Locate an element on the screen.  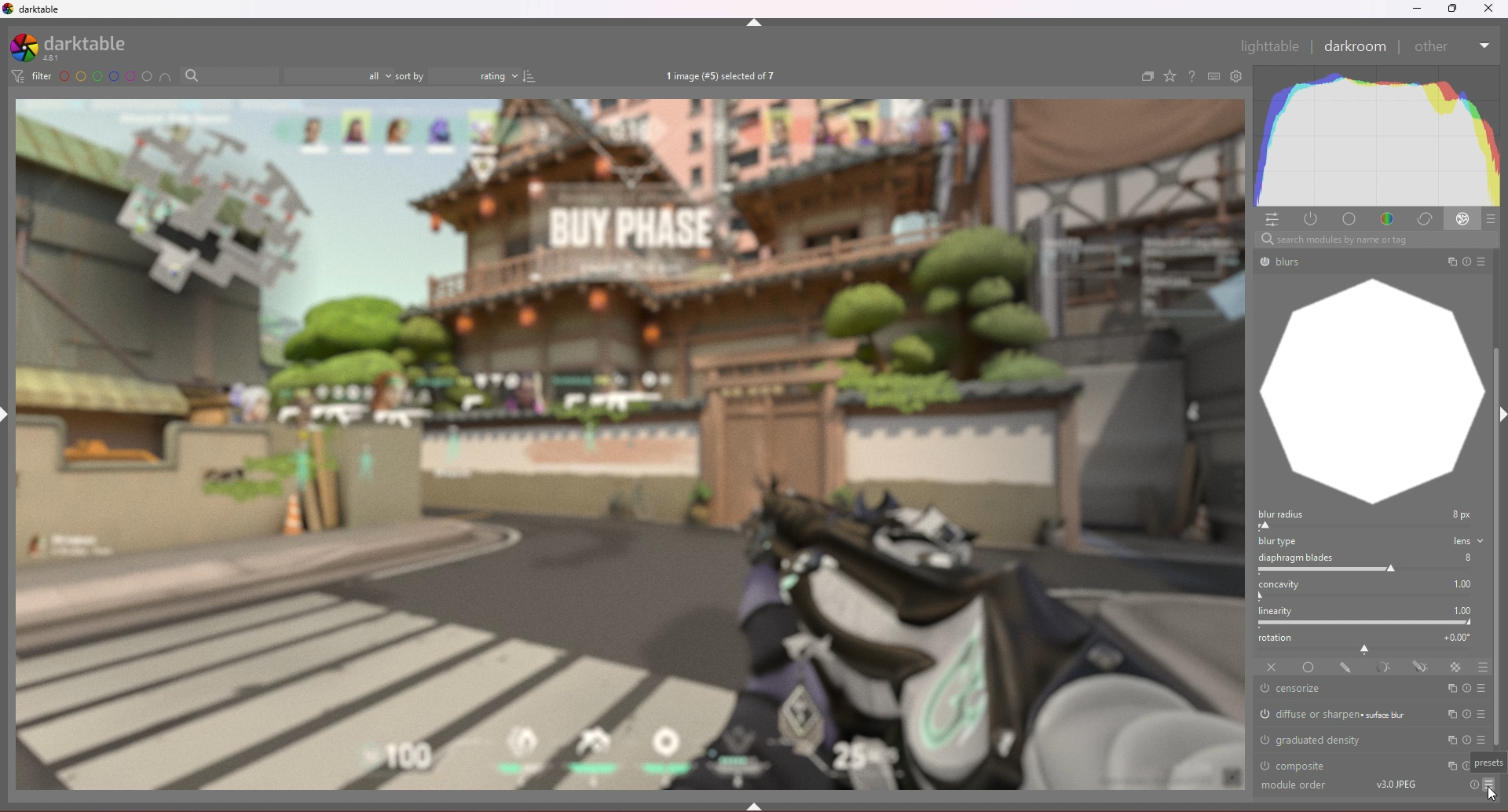
 is located at coordinates (1375, 240).